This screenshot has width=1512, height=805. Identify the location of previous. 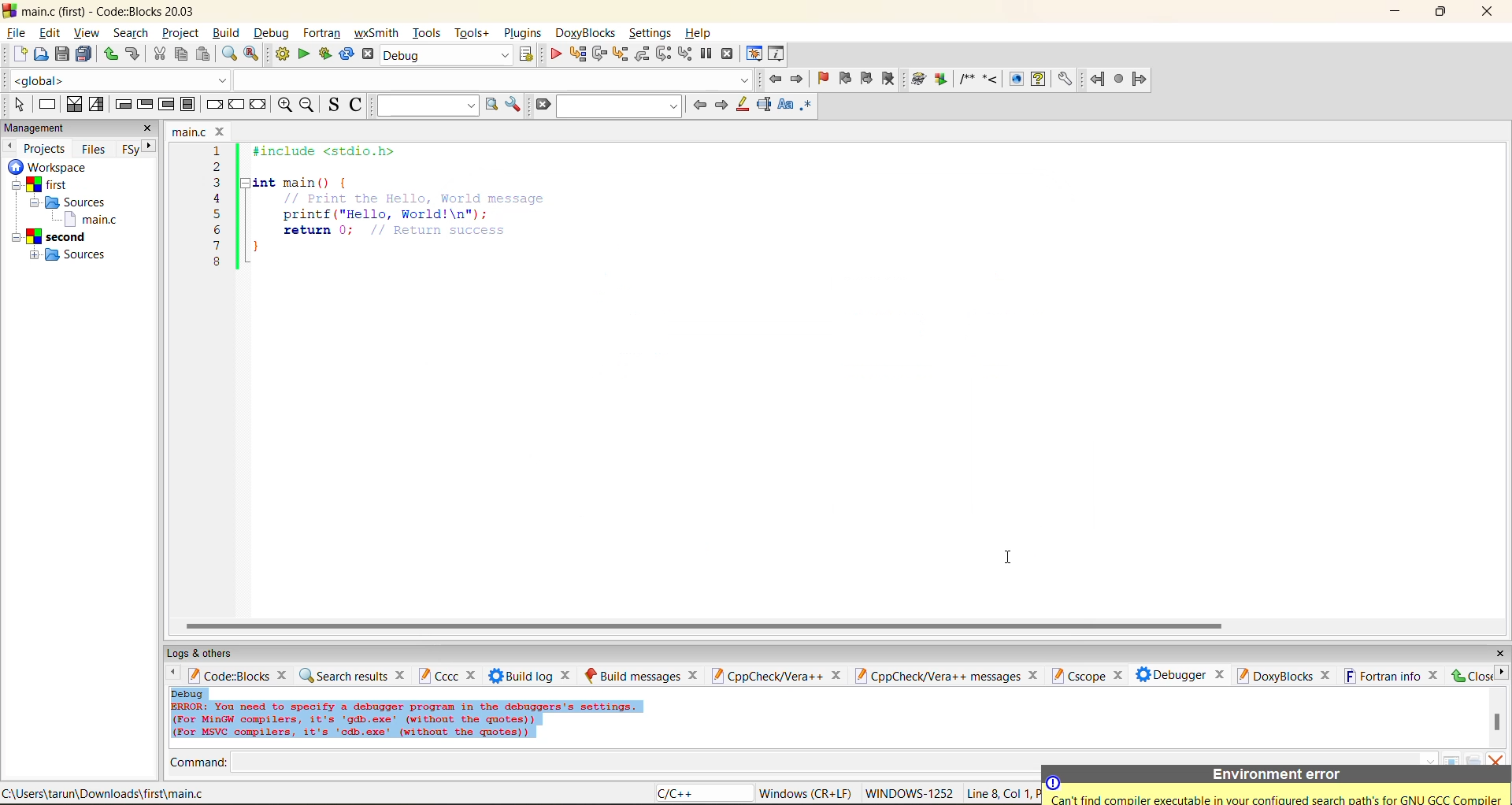
(169, 674).